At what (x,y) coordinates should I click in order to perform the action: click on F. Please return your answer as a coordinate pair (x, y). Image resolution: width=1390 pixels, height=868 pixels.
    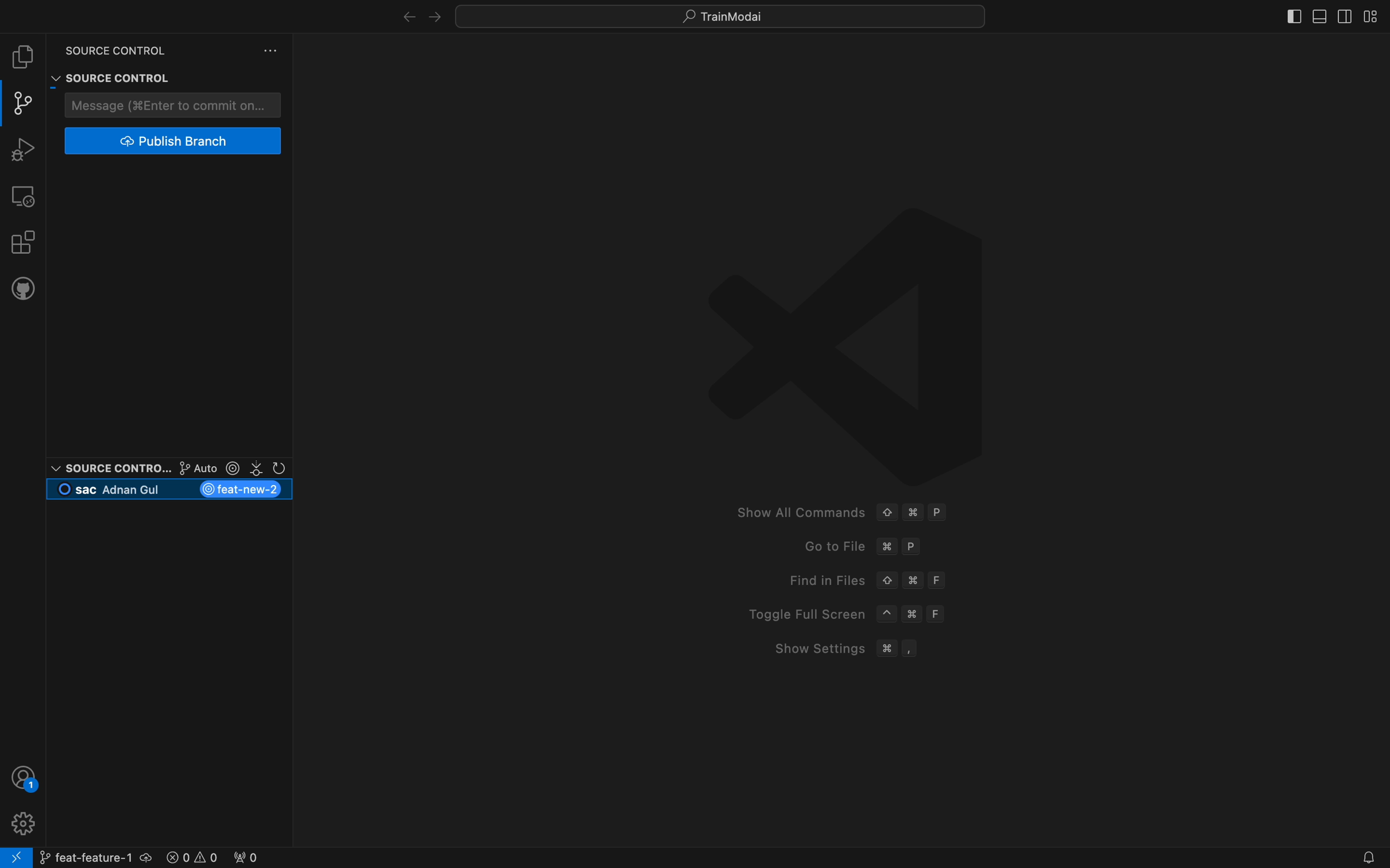
    Looking at the image, I should click on (940, 614).